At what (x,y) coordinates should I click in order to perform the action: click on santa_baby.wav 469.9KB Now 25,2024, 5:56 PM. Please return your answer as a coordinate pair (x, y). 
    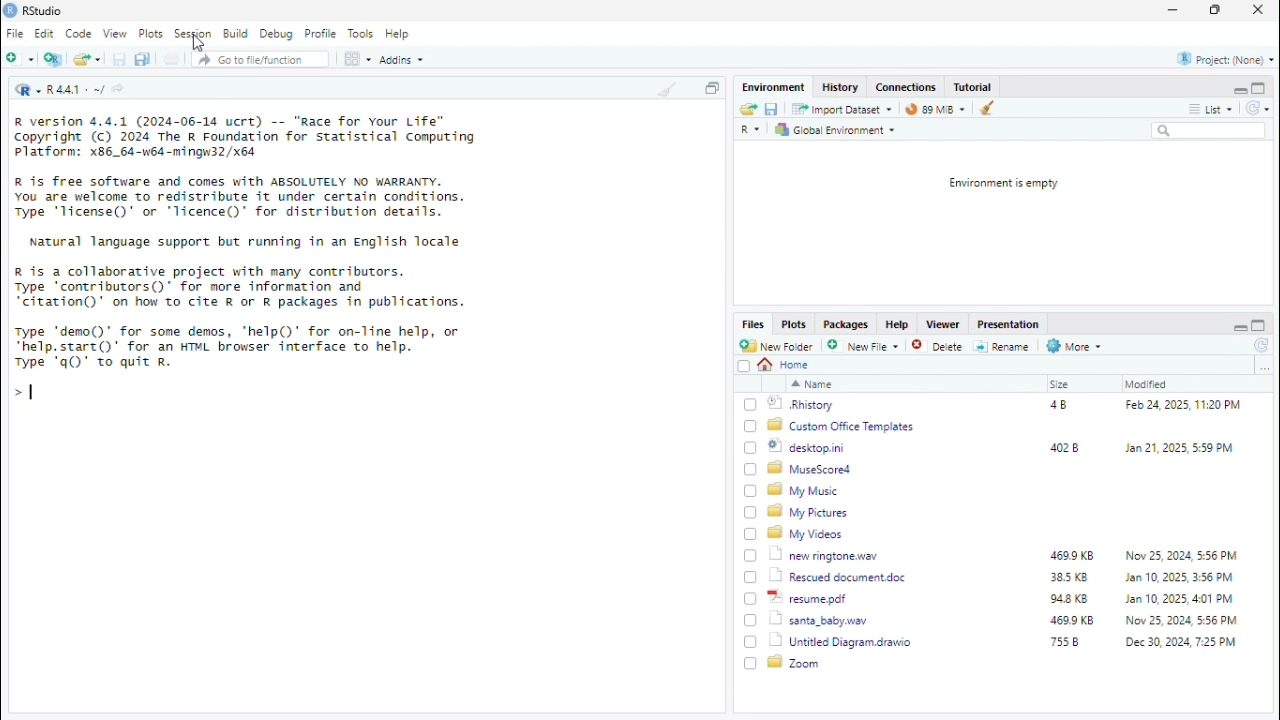
    Looking at the image, I should click on (1008, 619).